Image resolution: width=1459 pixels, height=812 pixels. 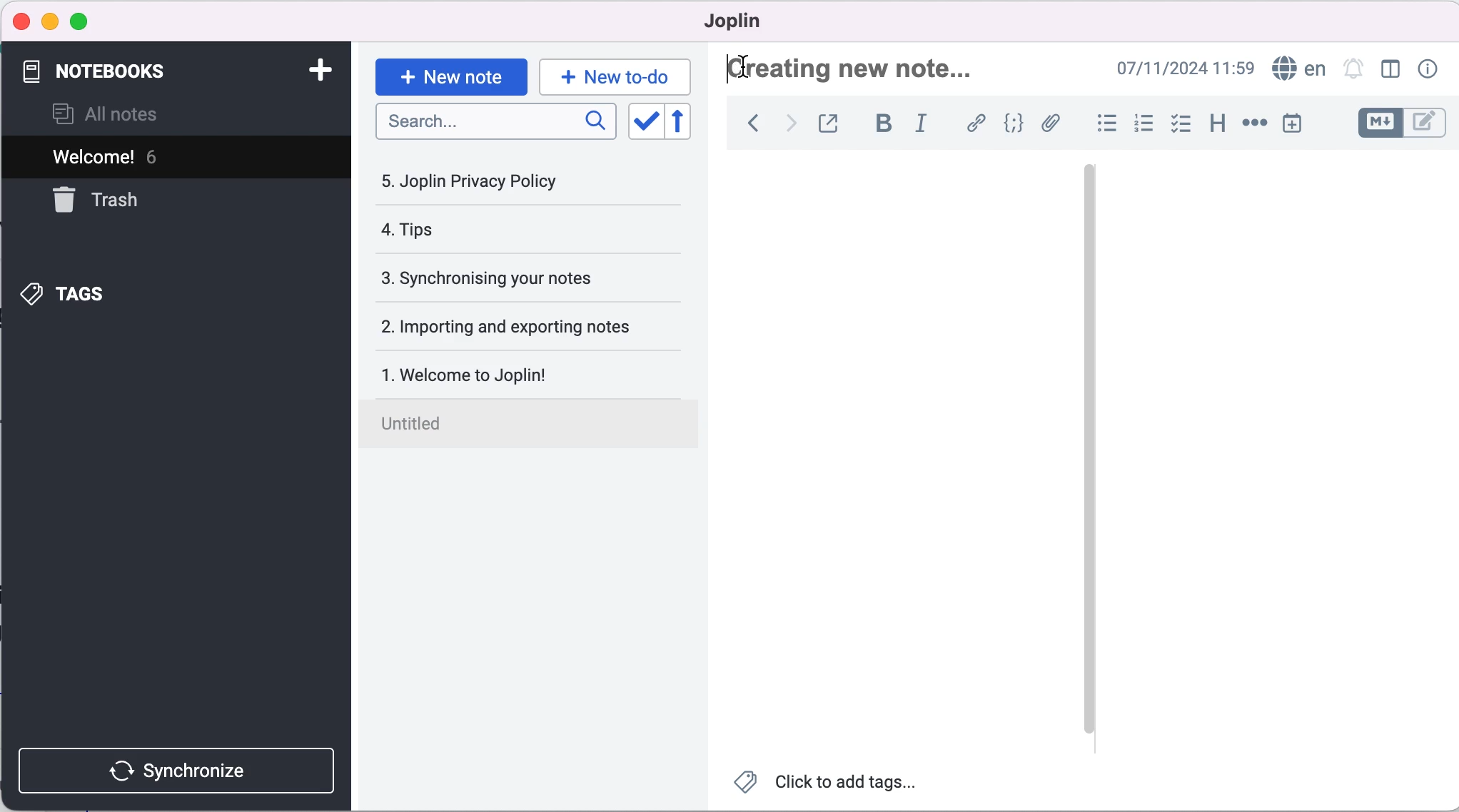 I want to click on untitled note, so click(x=537, y=426).